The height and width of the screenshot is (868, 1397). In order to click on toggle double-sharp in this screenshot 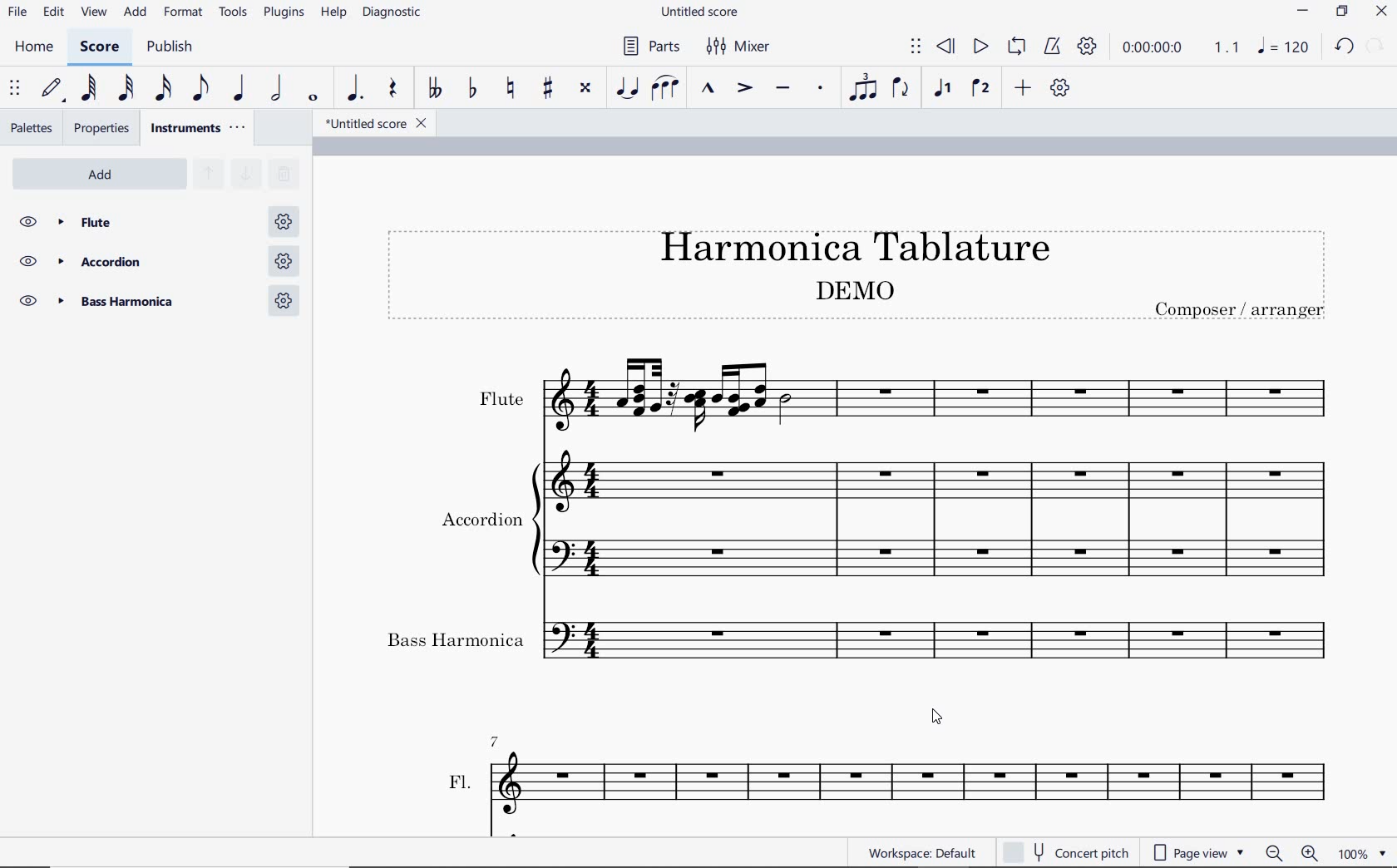, I will do `click(585, 91)`.